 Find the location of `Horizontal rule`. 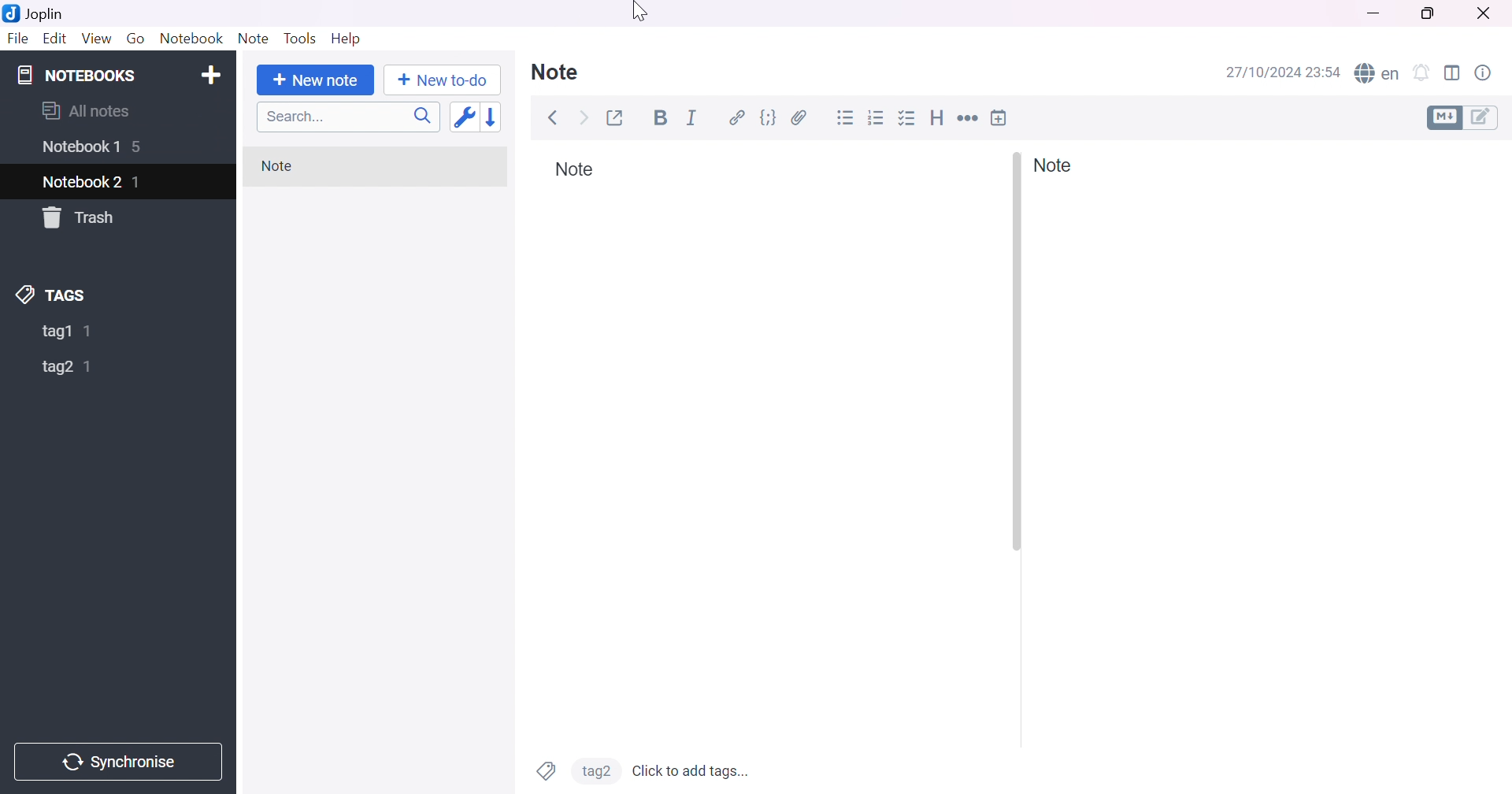

Horizontal rule is located at coordinates (969, 120).